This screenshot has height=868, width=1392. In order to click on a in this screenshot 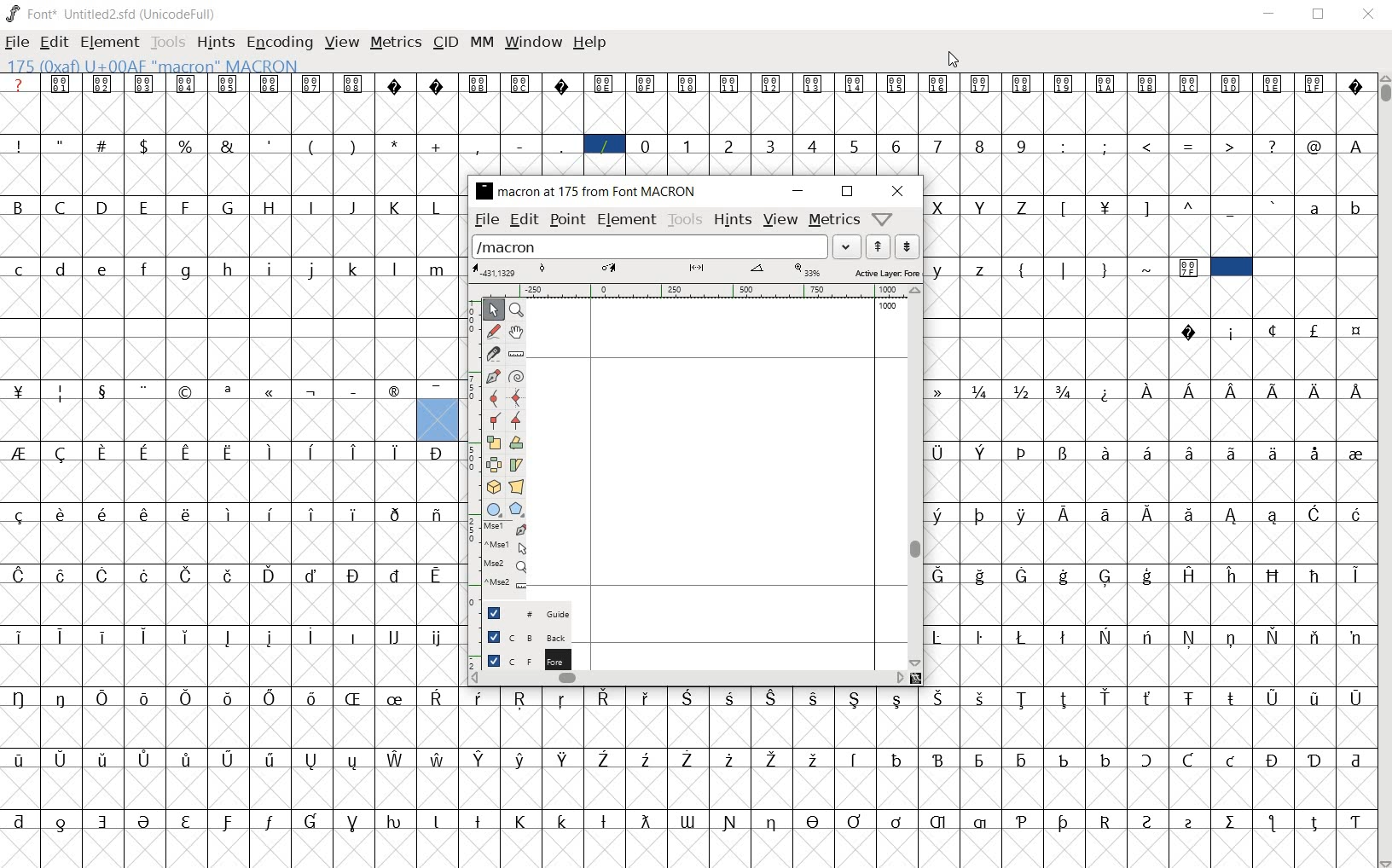, I will do `click(1315, 209)`.